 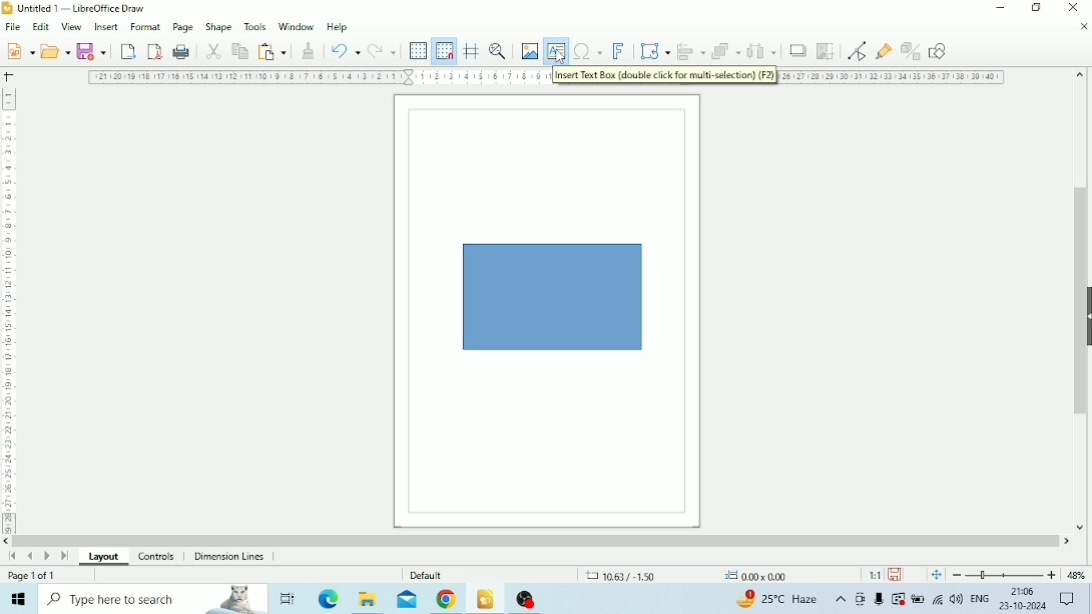 What do you see at coordinates (145, 26) in the screenshot?
I see `Format` at bounding box center [145, 26].